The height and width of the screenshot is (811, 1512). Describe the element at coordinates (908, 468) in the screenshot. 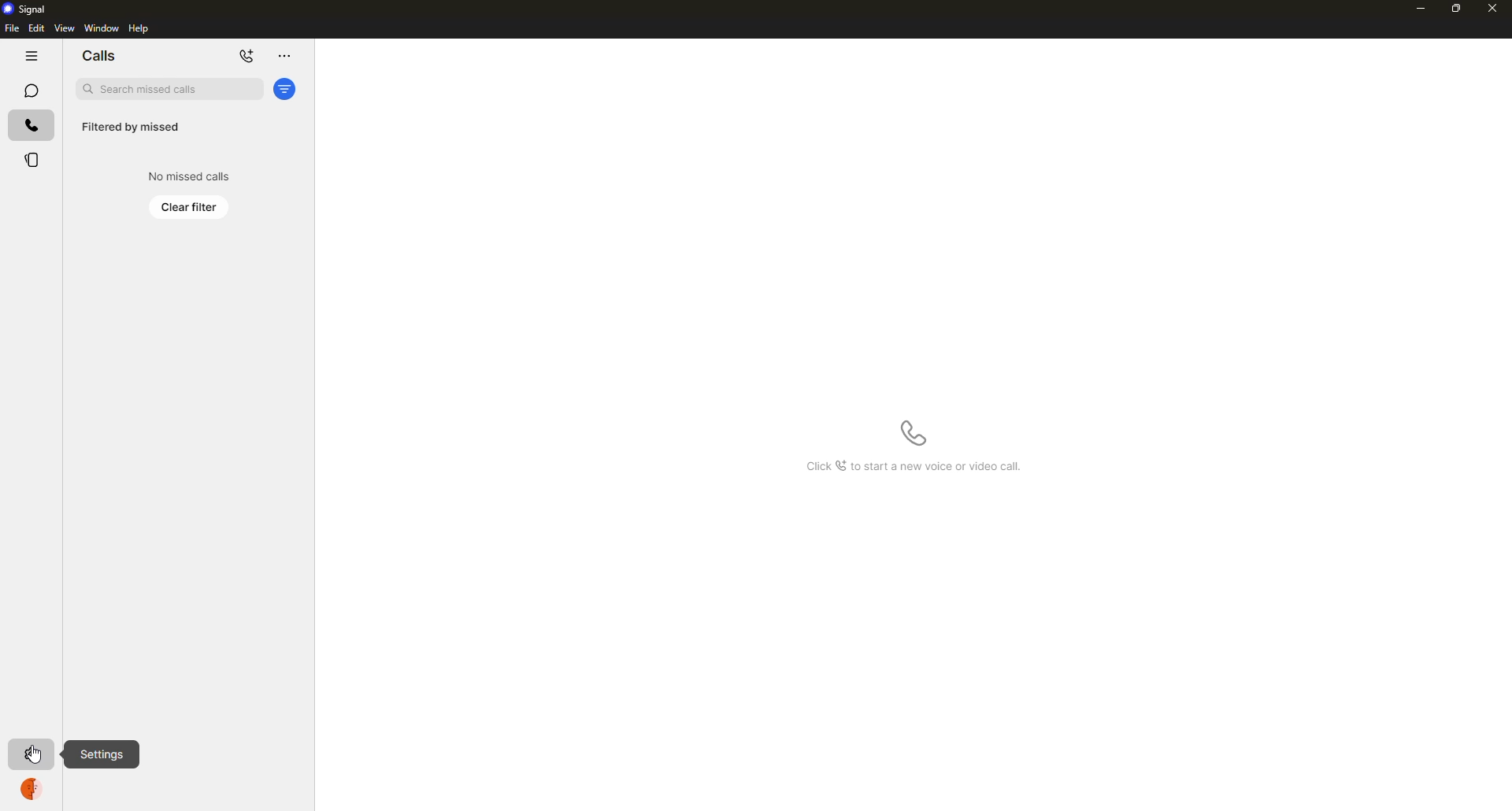

I see `Click to start a new voice or video call` at that location.